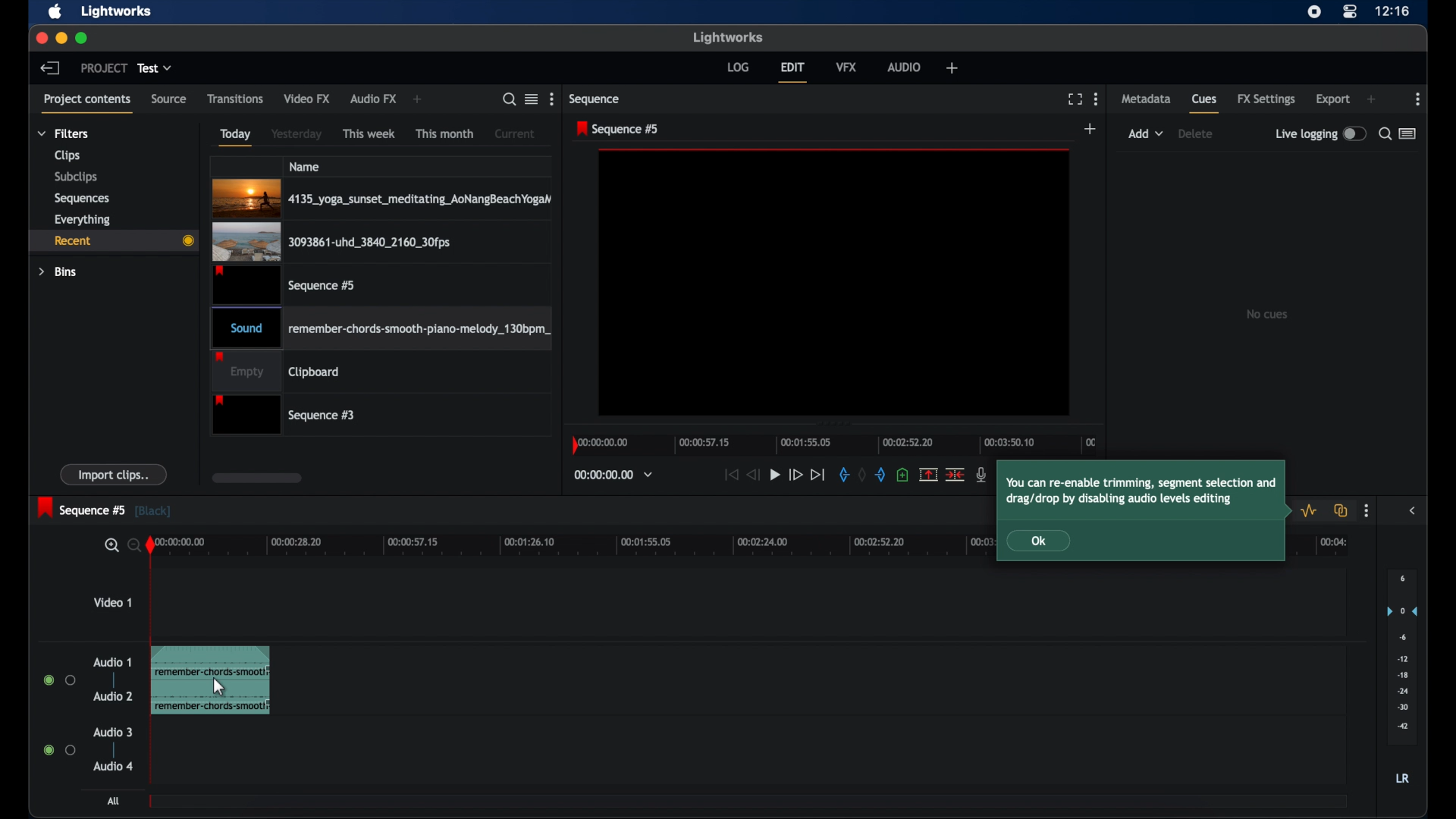  Describe the element at coordinates (1146, 98) in the screenshot. I see `metadata` at that location.